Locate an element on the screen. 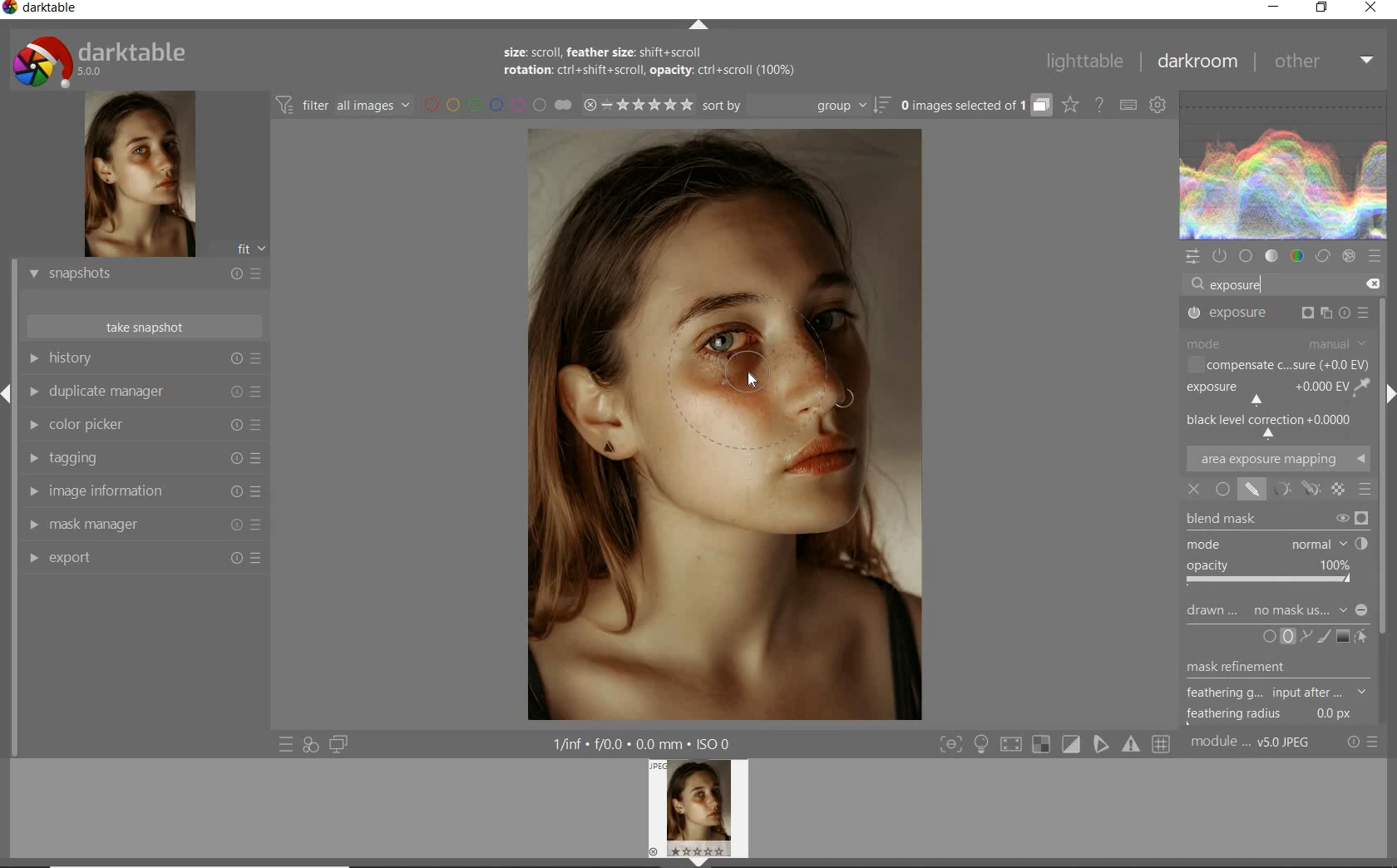 The width and height of the screenshot is (1397, 868). correct is located at coordinates (1324, 254).